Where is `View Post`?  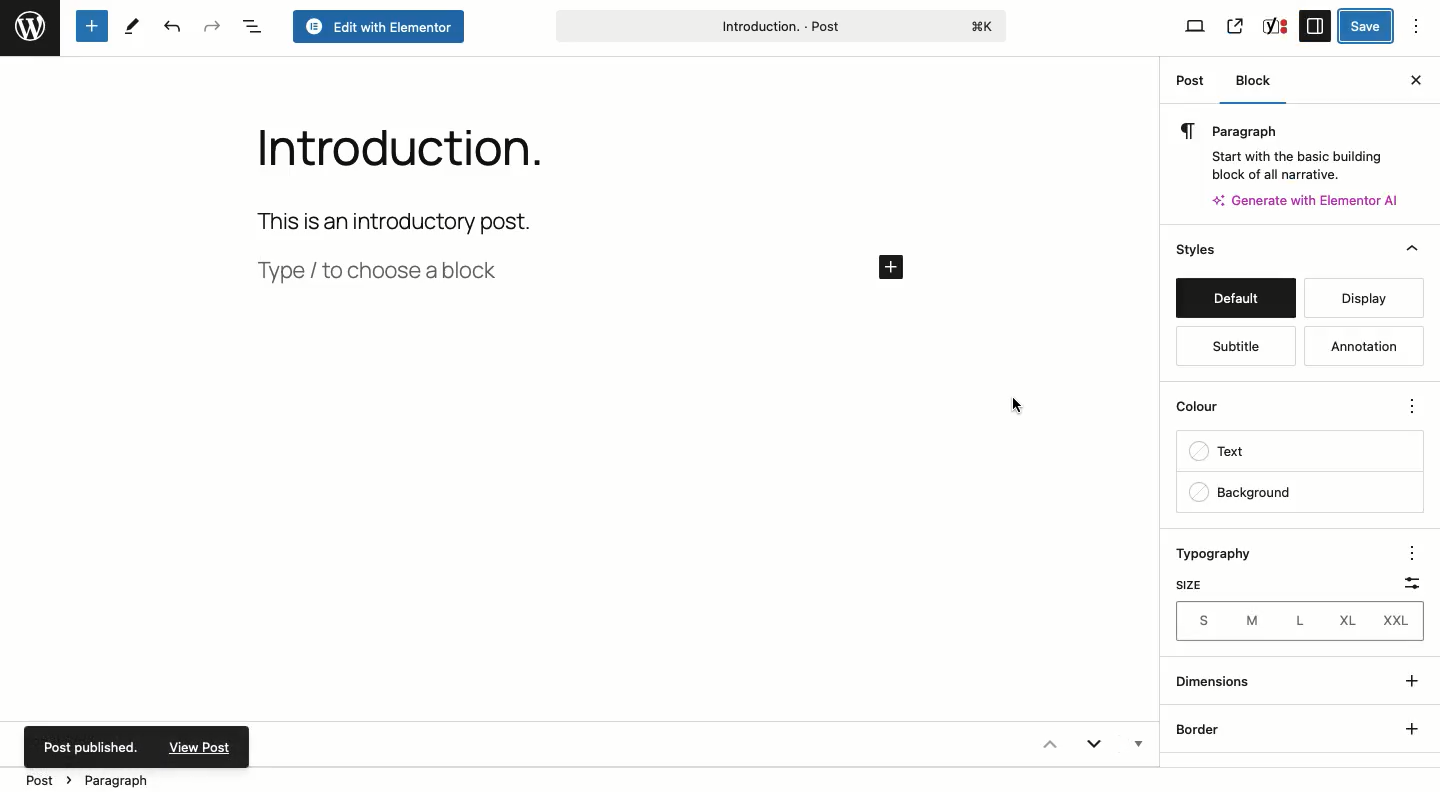 View Post is located at coordinates (200, 747).